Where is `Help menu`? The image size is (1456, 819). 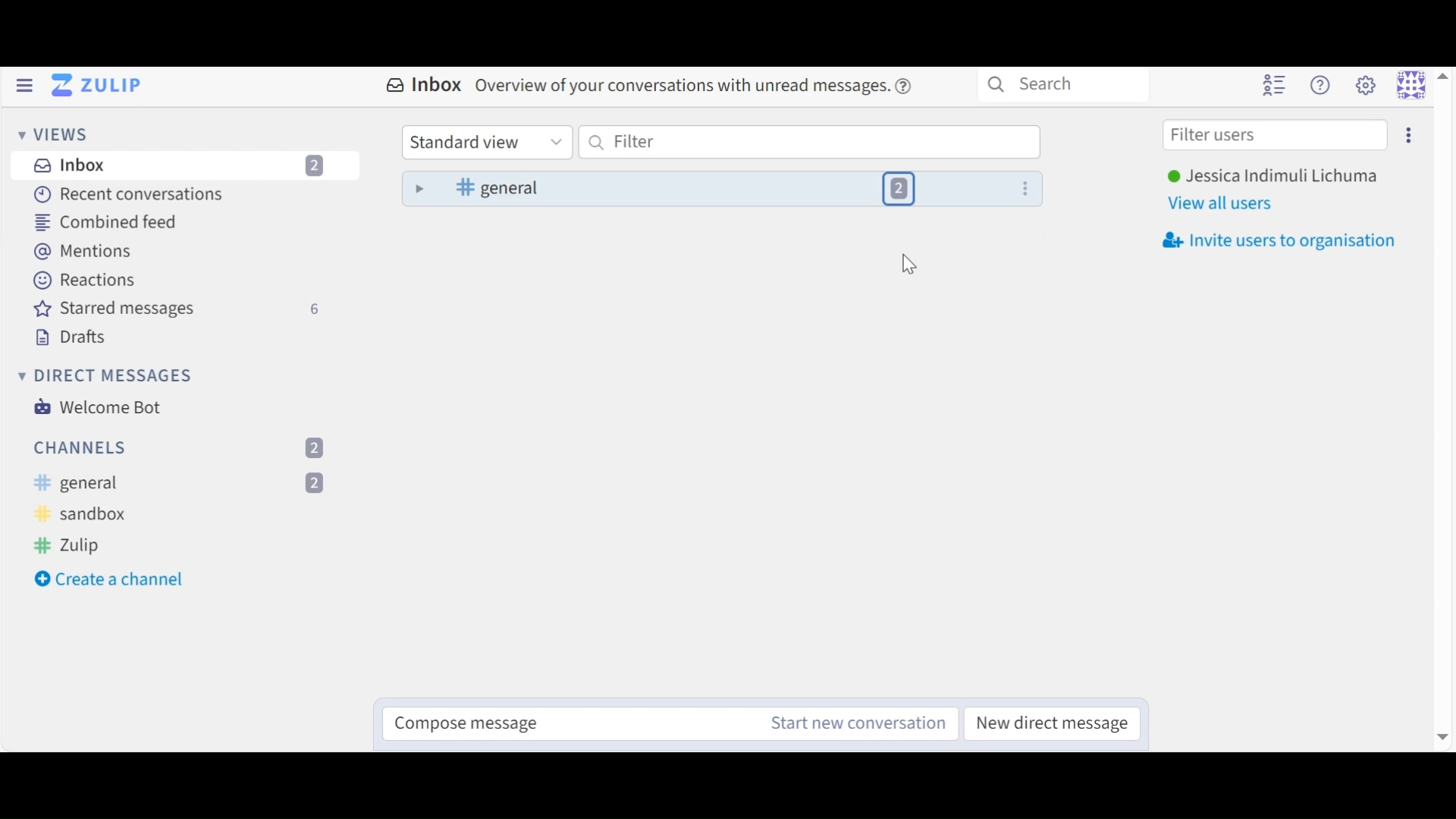
Help menu is located at coordinates (1323, 86).